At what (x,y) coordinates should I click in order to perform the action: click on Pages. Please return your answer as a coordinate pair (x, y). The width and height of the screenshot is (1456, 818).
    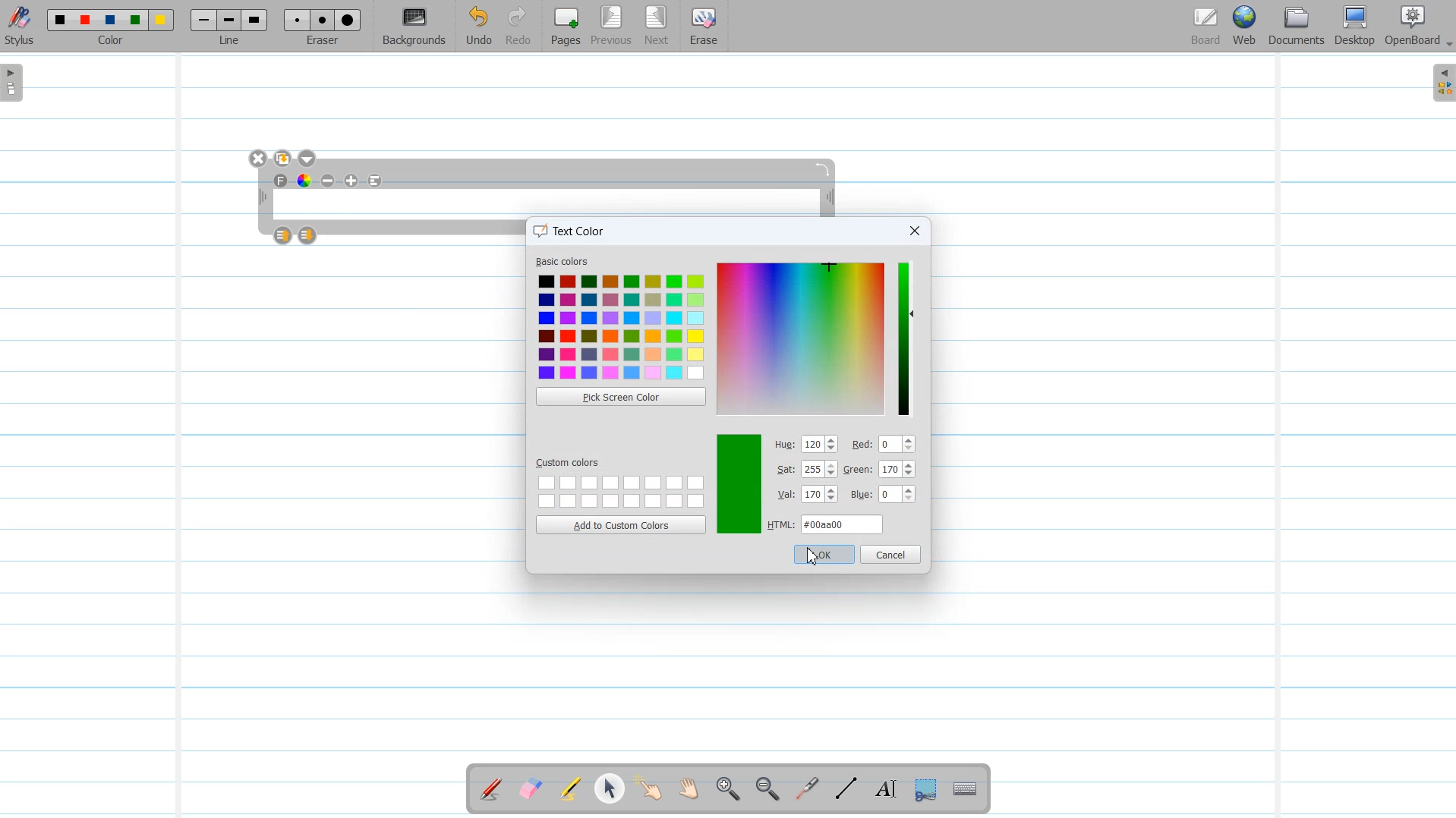
    Looking at the image, I should click on (564, 26).